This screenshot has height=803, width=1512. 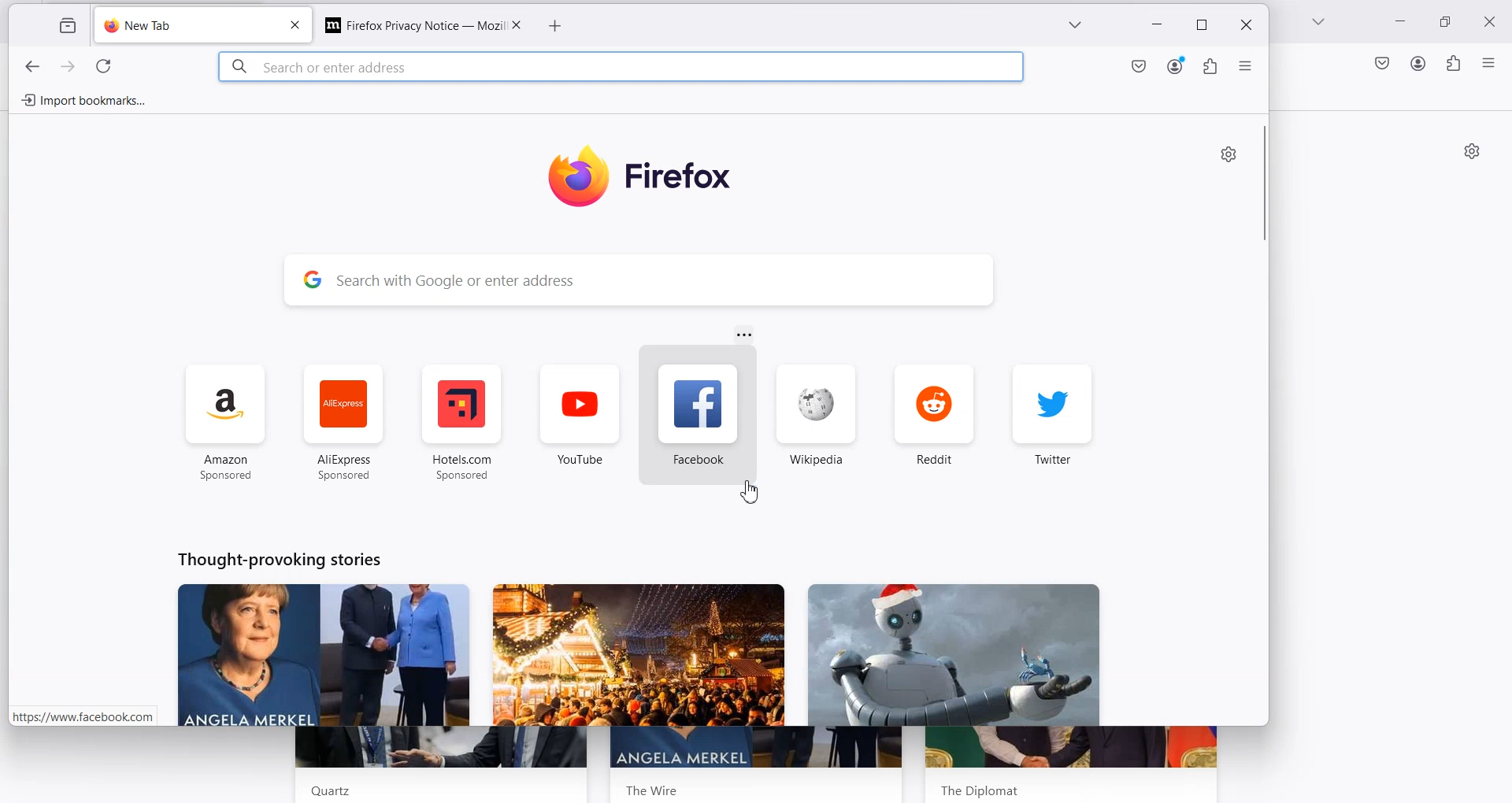 I want to click on Maximize, so click(x=1448, y=22).